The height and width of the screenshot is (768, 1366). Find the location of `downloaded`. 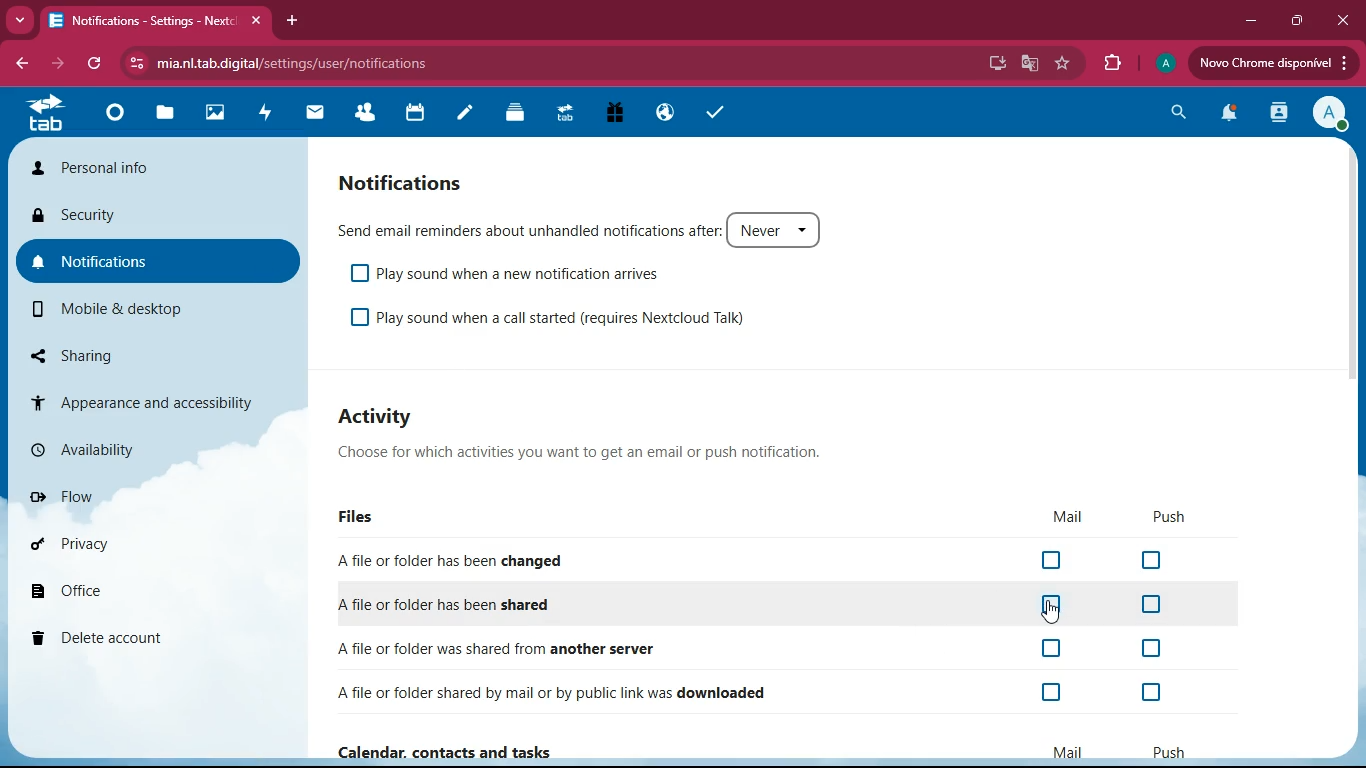

downloaded is located at coordinates (567, 692).